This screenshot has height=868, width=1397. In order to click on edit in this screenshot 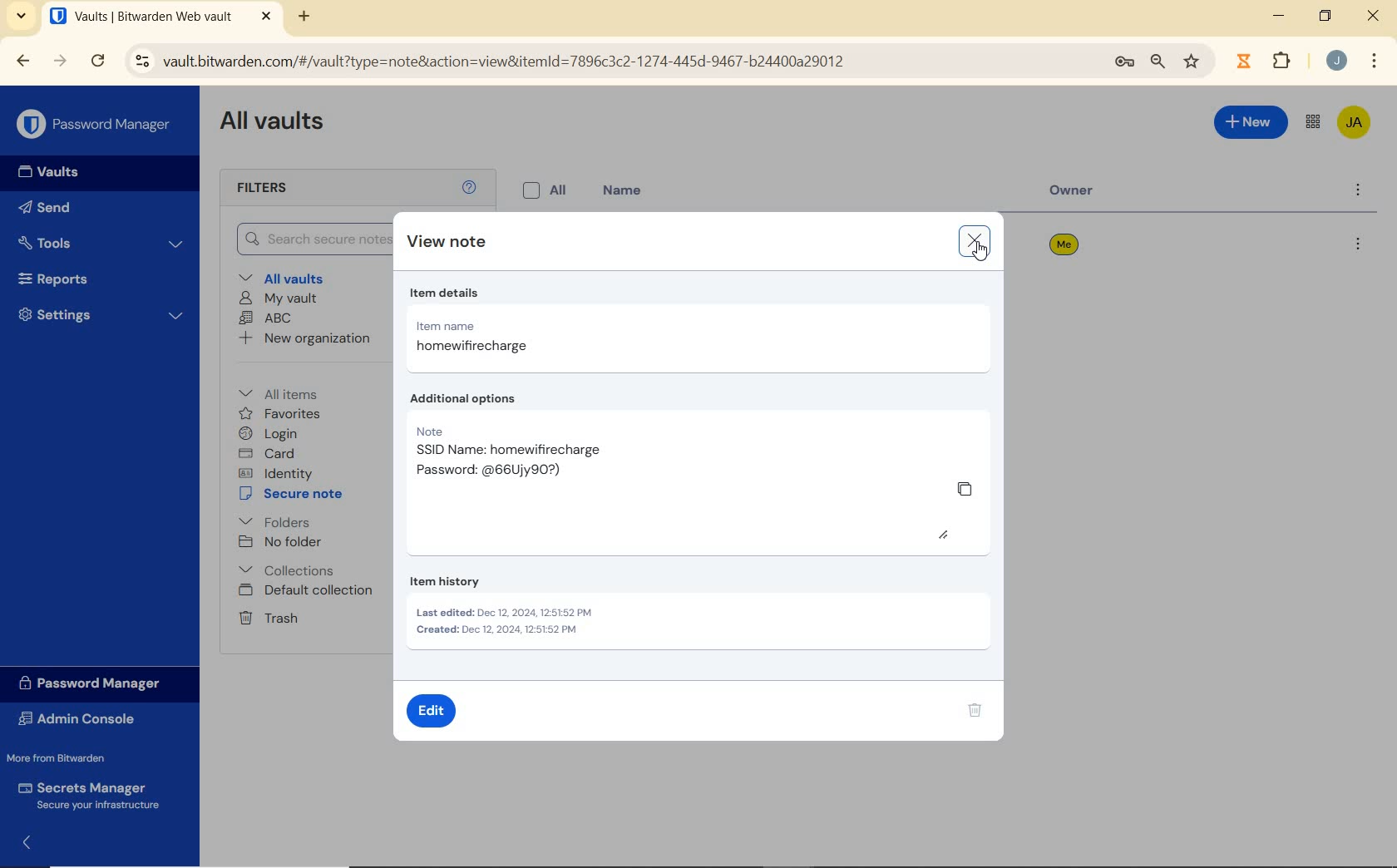, I will do `click(430, 710)`.